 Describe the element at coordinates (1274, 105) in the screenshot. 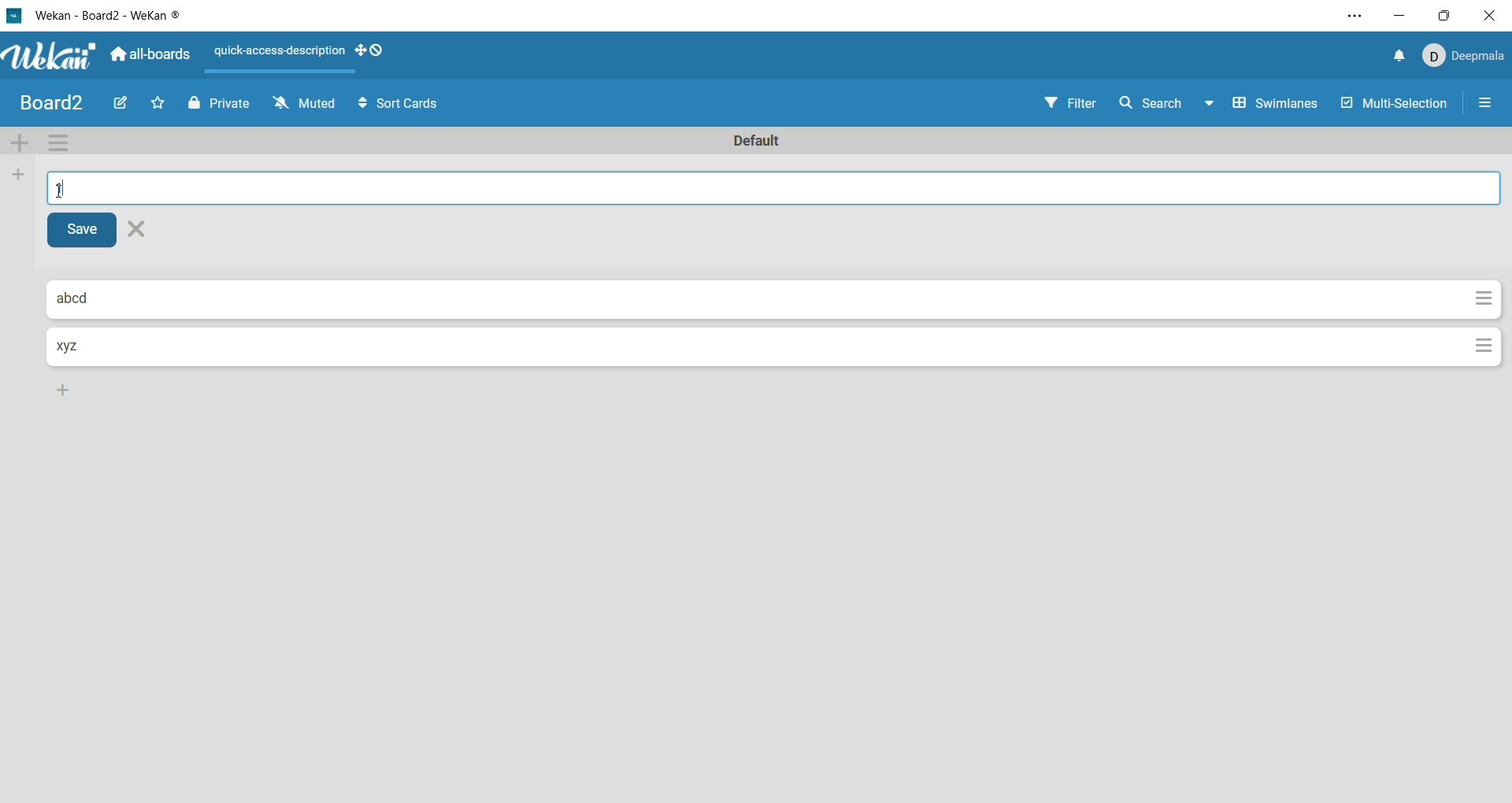

I see `swimlanes` at that location.